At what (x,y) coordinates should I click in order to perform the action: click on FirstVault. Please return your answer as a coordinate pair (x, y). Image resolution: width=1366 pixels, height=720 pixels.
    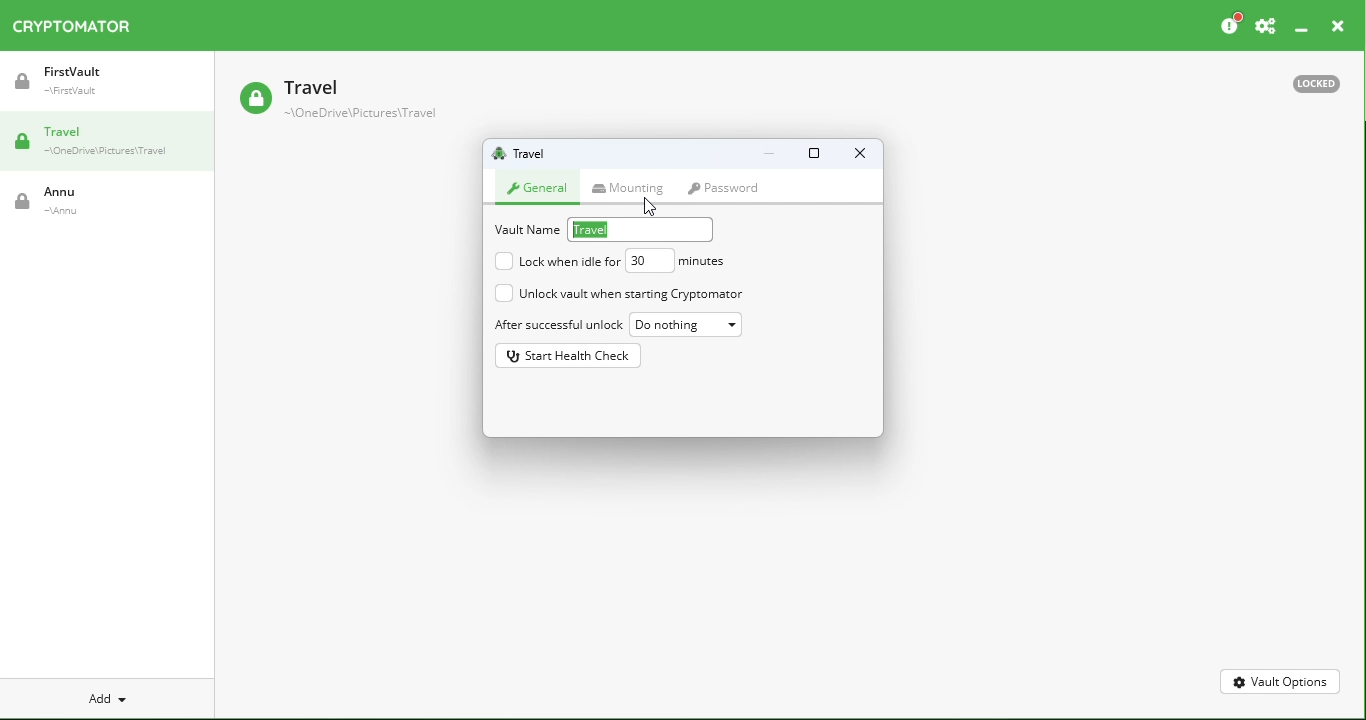
    Looking at the image, I should click on (110, 88).